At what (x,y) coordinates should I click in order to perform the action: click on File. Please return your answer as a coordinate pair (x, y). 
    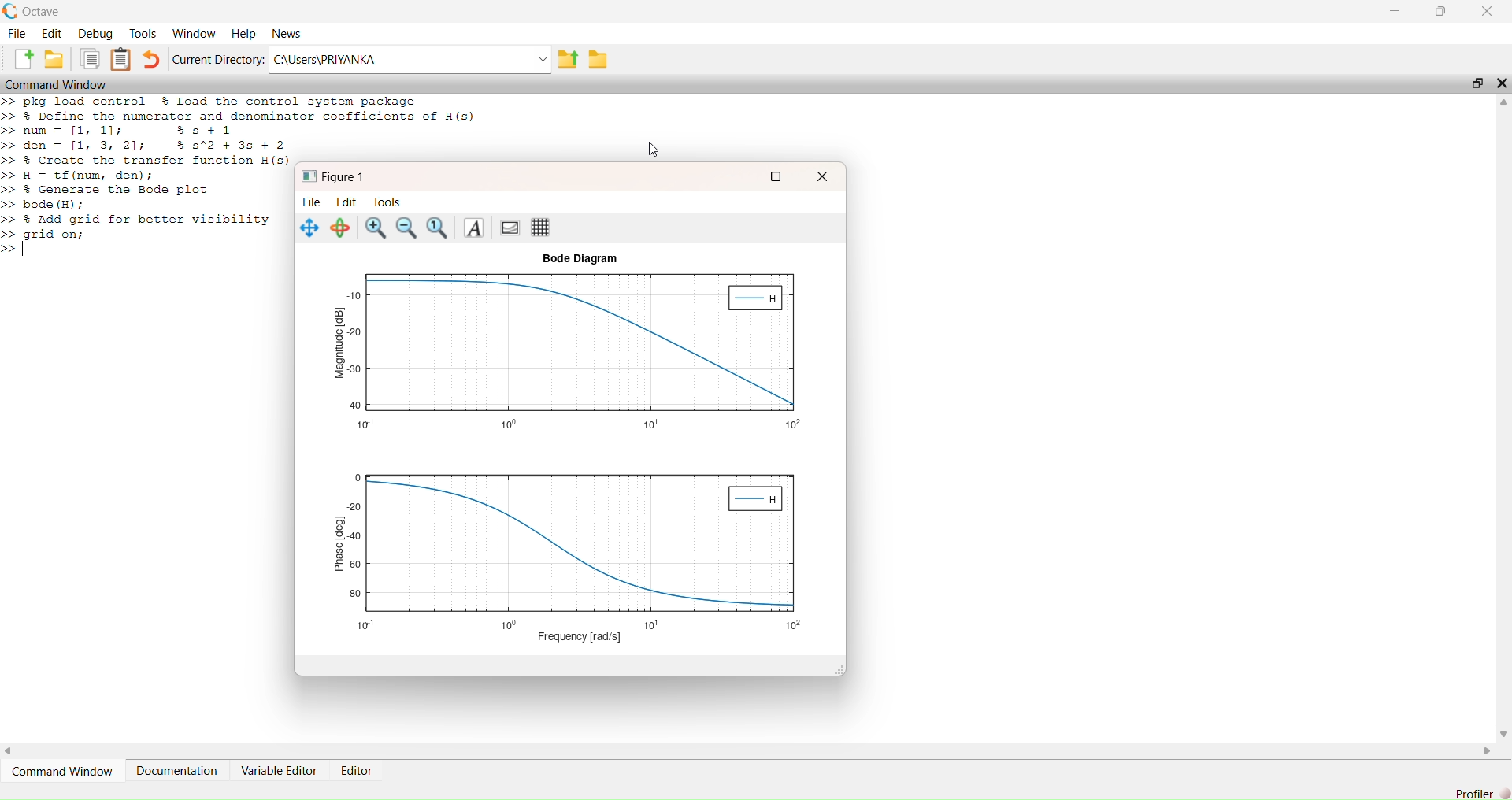
    Looking at the image, I should click on (18, 33).